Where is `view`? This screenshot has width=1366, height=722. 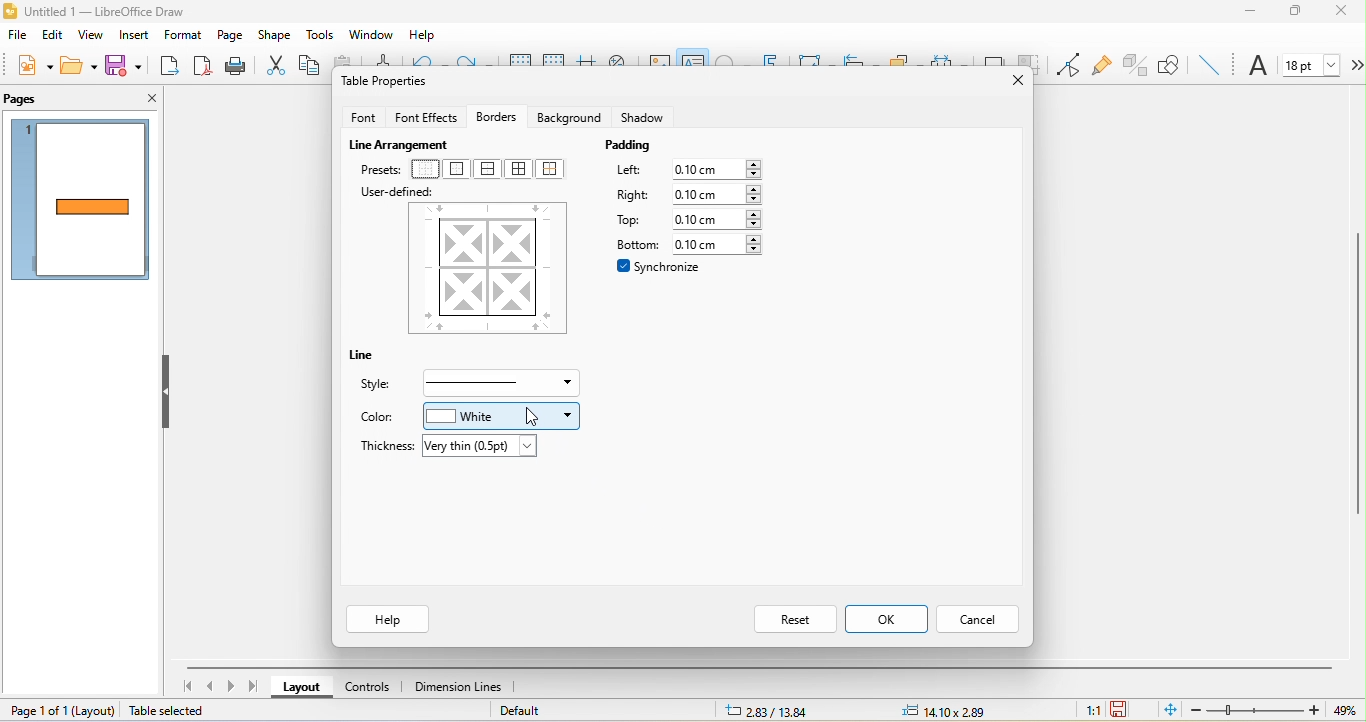
view is located at coordinates (95, 36).